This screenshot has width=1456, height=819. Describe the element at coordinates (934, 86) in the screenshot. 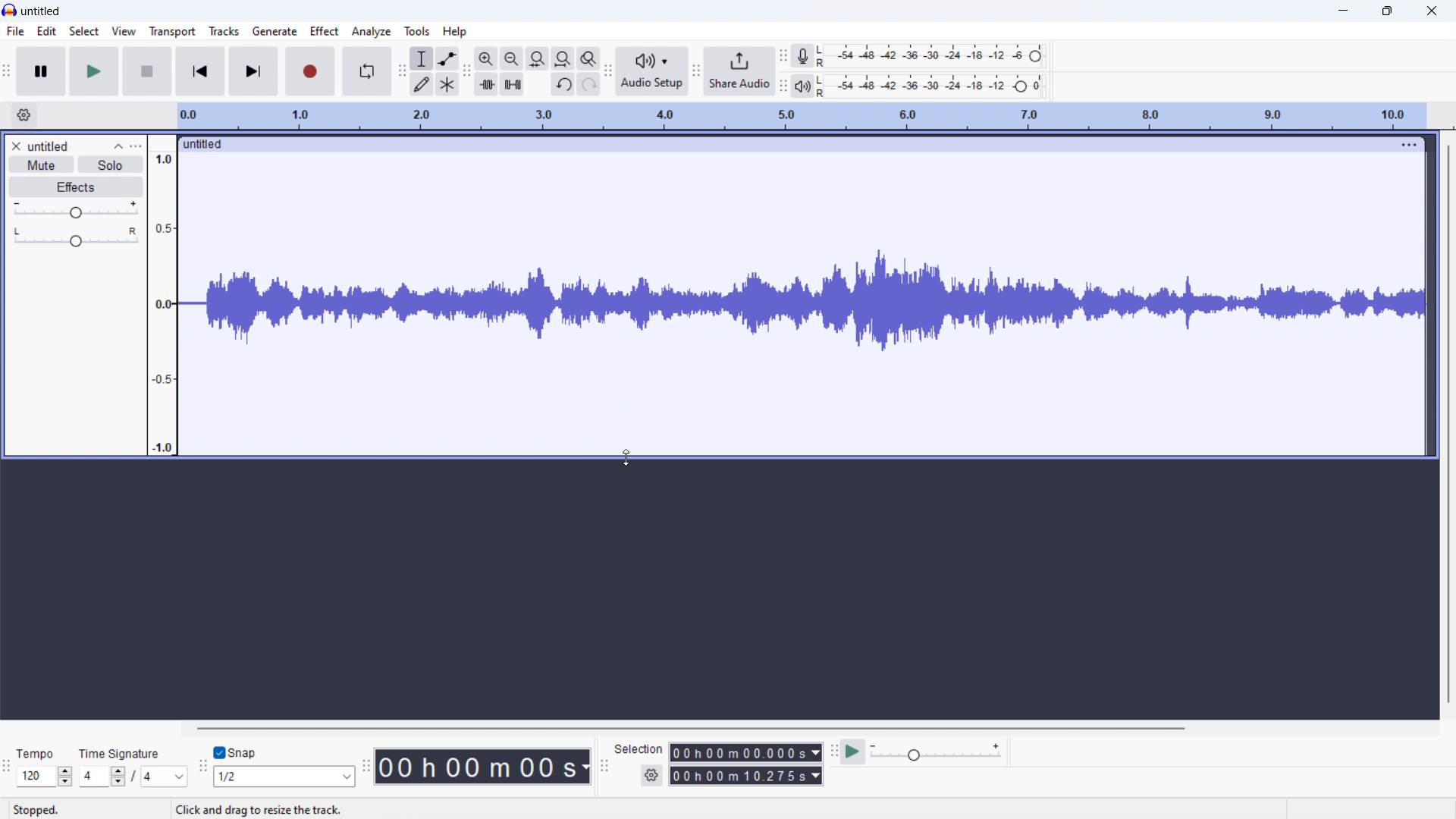

I see `playback level` at that location.